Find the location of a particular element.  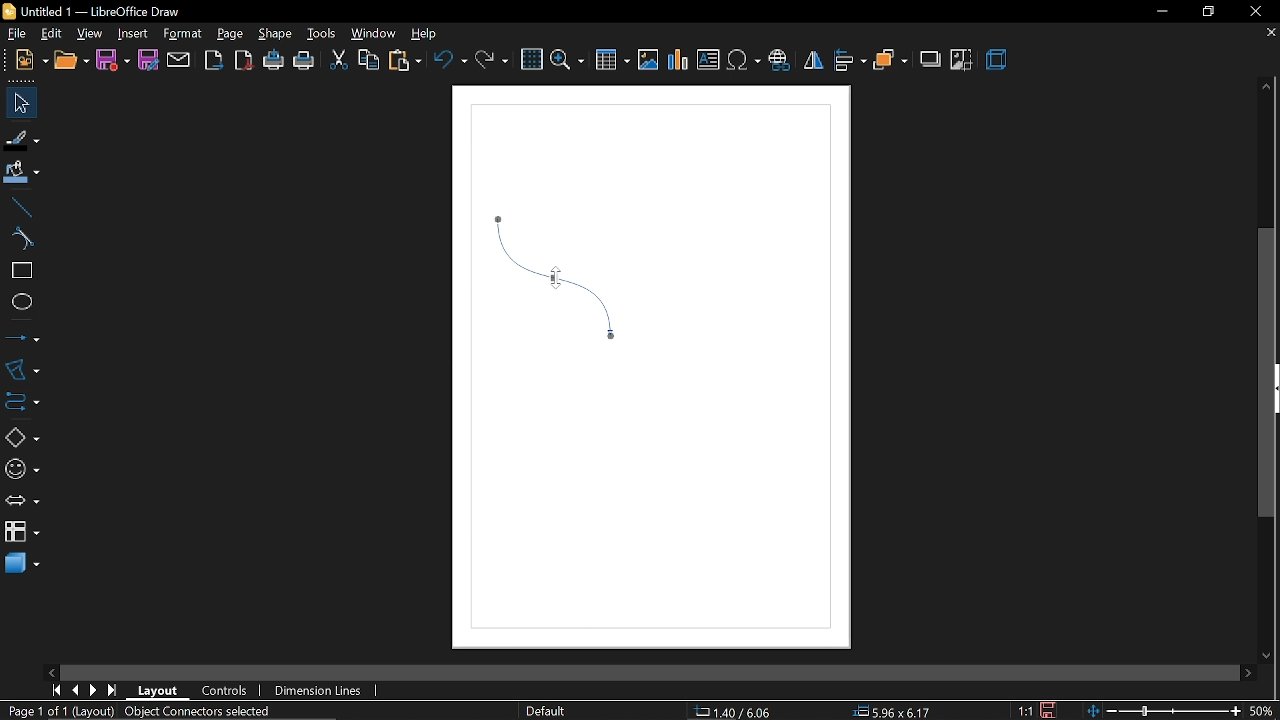

1.40/6.06 is located at coordinates (740, 712).